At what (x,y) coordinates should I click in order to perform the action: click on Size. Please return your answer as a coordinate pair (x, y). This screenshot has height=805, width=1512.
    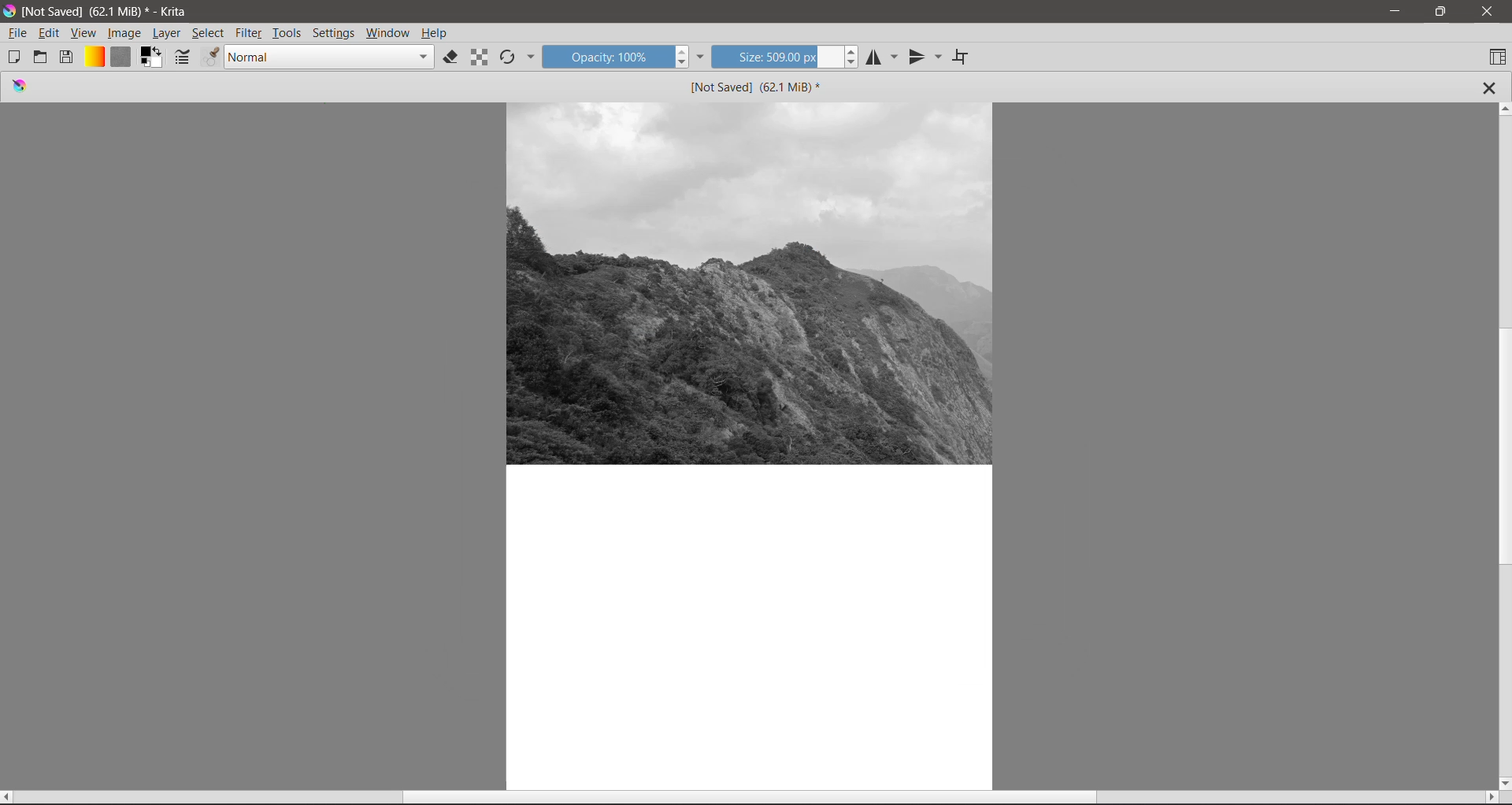
    Looking at the image, I should click on (776, 57).